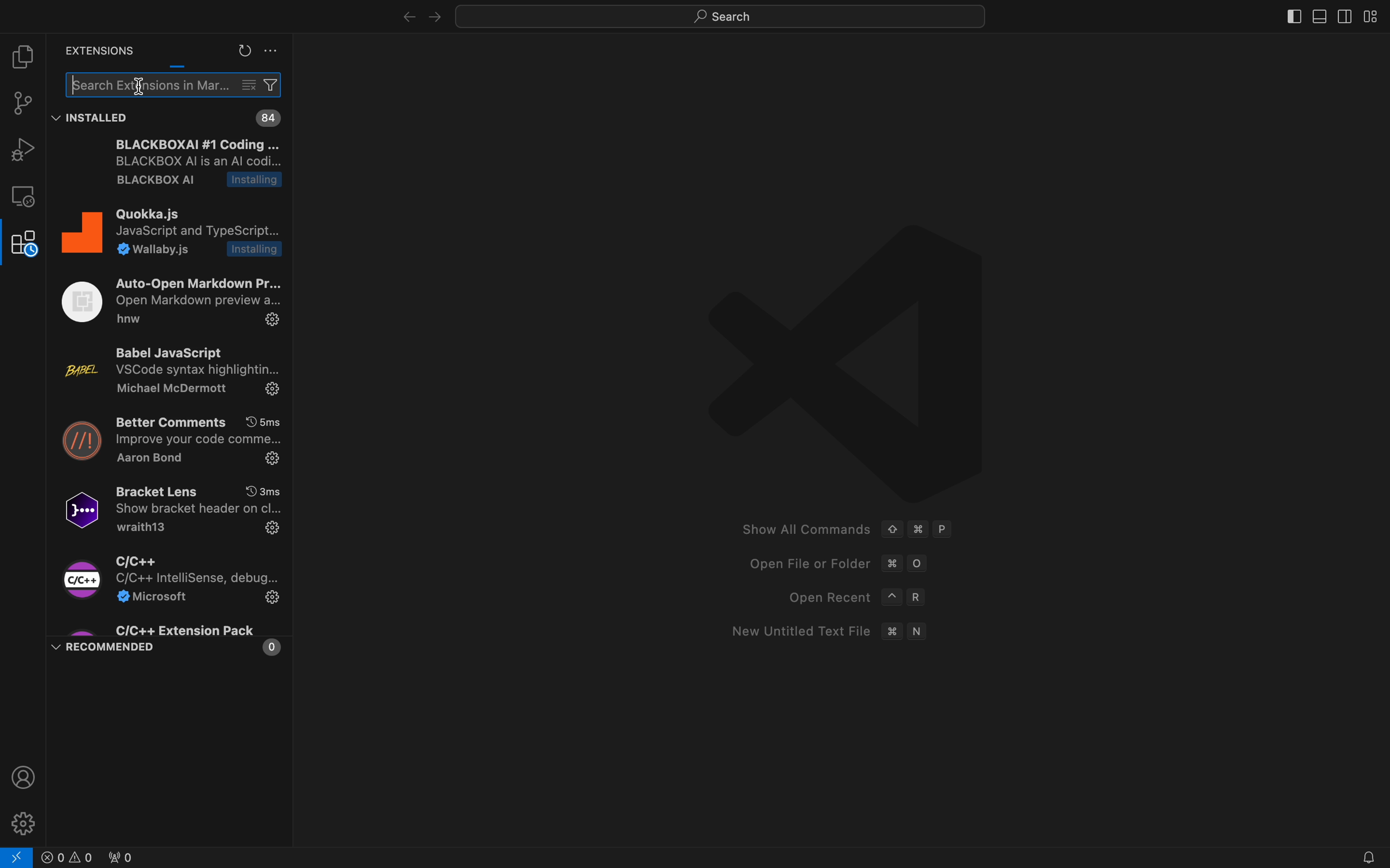 The image size is (1390, 868). Describe the element at coordinates (92, 857) in the screenshot. I see `` at that location.